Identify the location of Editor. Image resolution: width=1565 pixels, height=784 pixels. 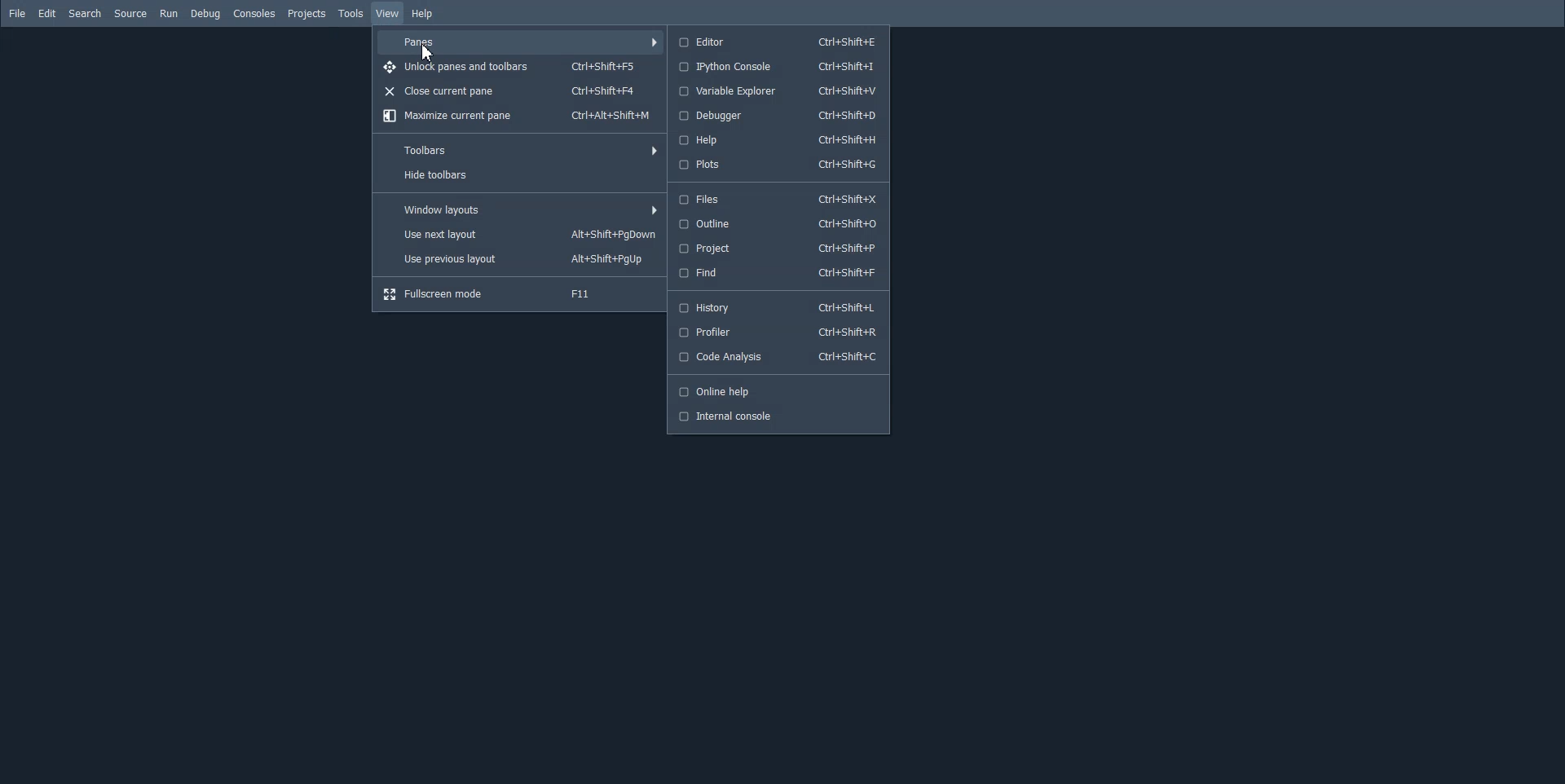
(776, 42).